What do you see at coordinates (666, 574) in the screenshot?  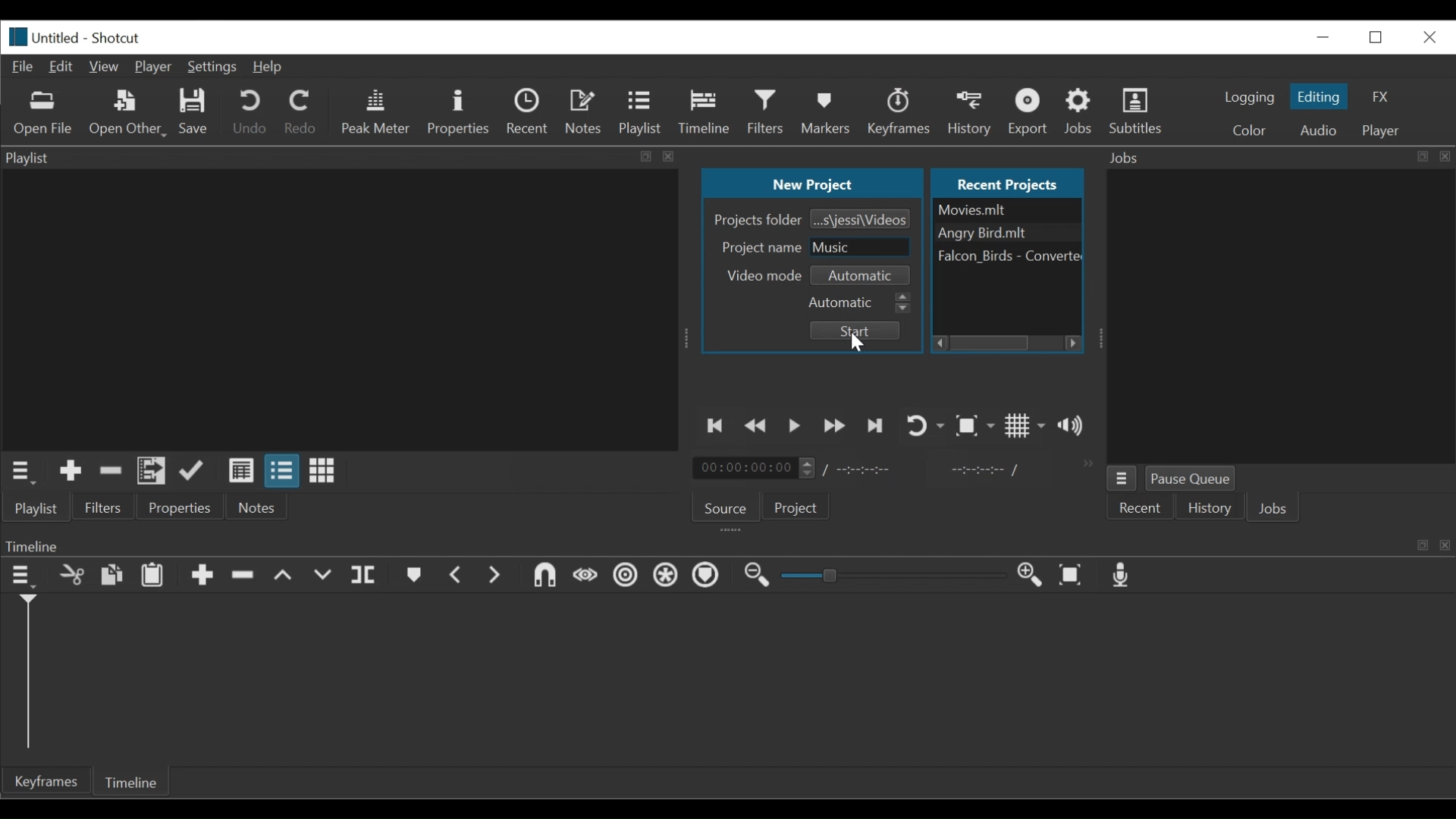 I see `Ripple all tracks` at bounding box center [666, 574].